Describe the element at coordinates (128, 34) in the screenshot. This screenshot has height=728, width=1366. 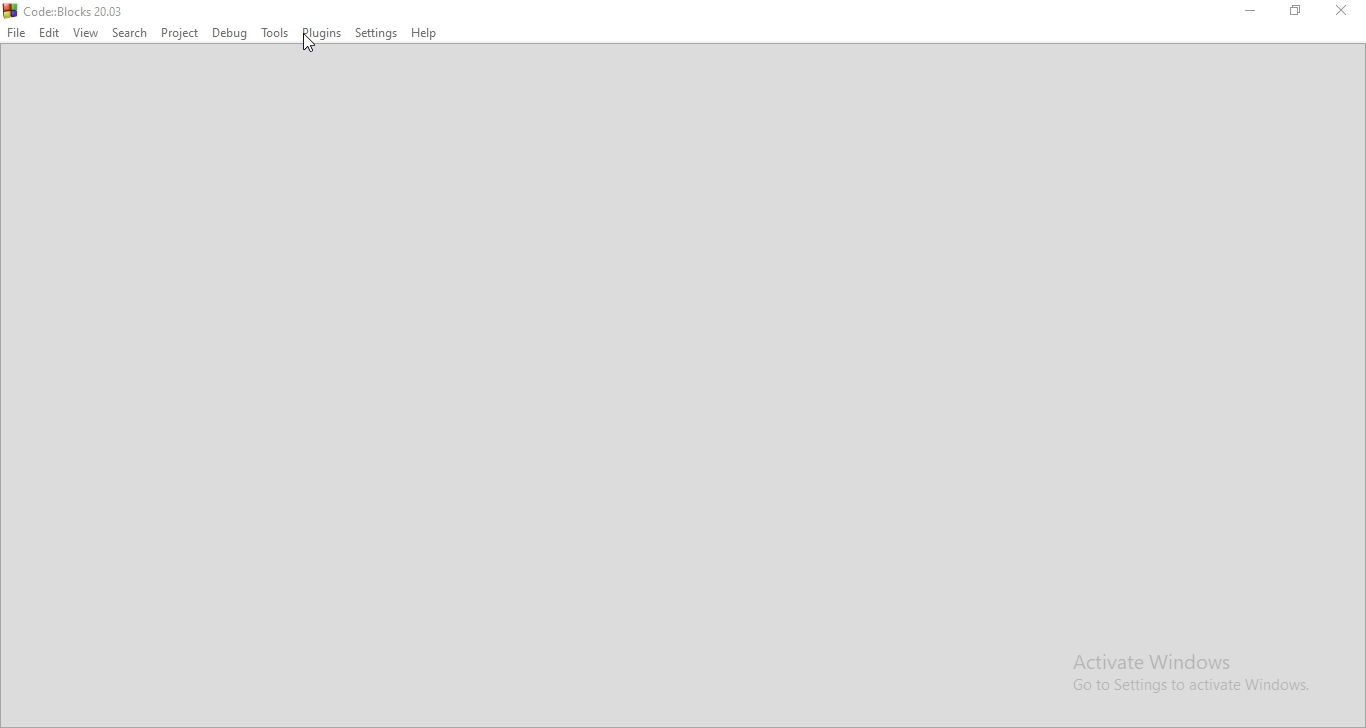
I see `Search` at that location.